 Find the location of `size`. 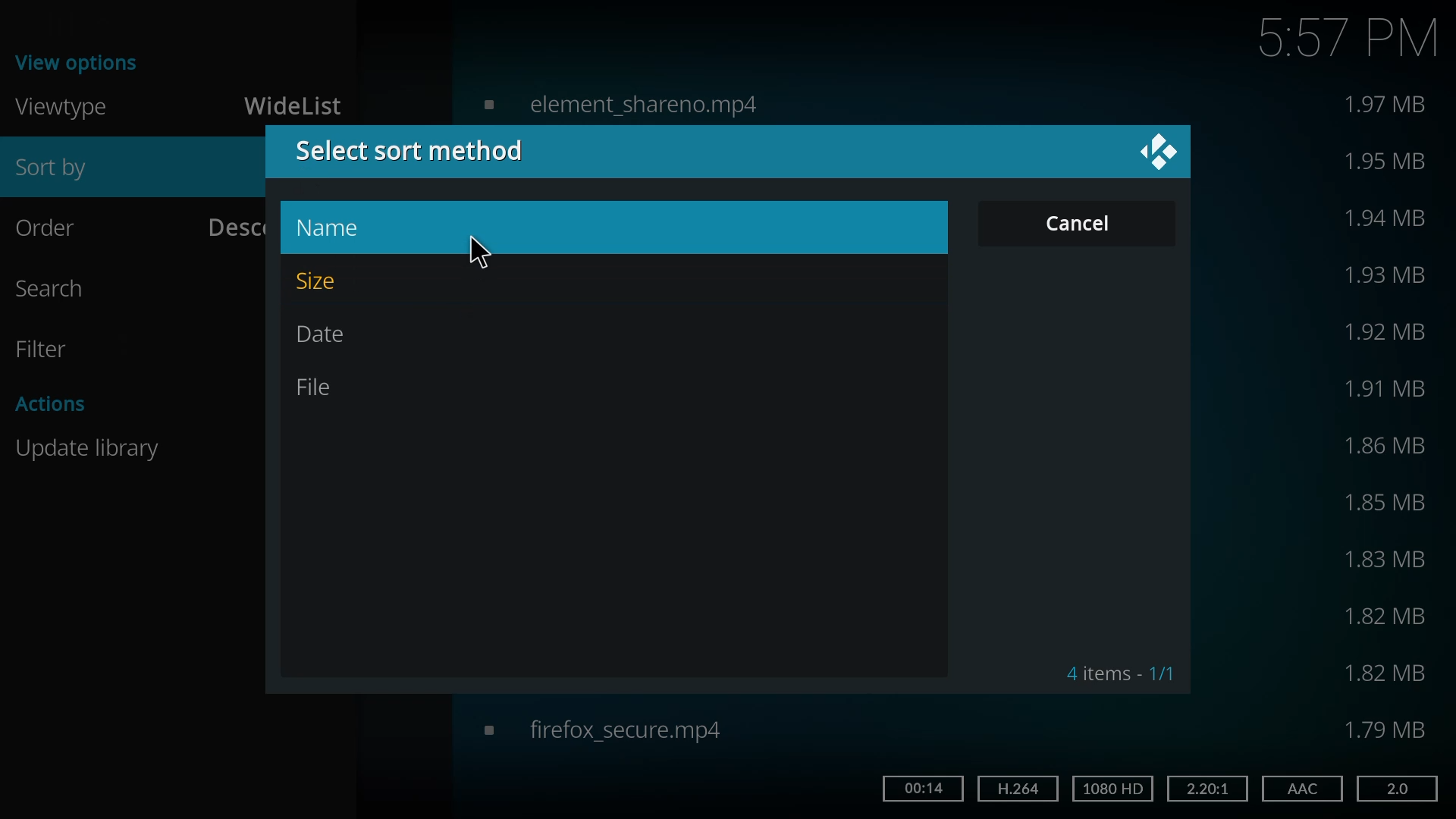

size is located at coordinates (1386, 557).